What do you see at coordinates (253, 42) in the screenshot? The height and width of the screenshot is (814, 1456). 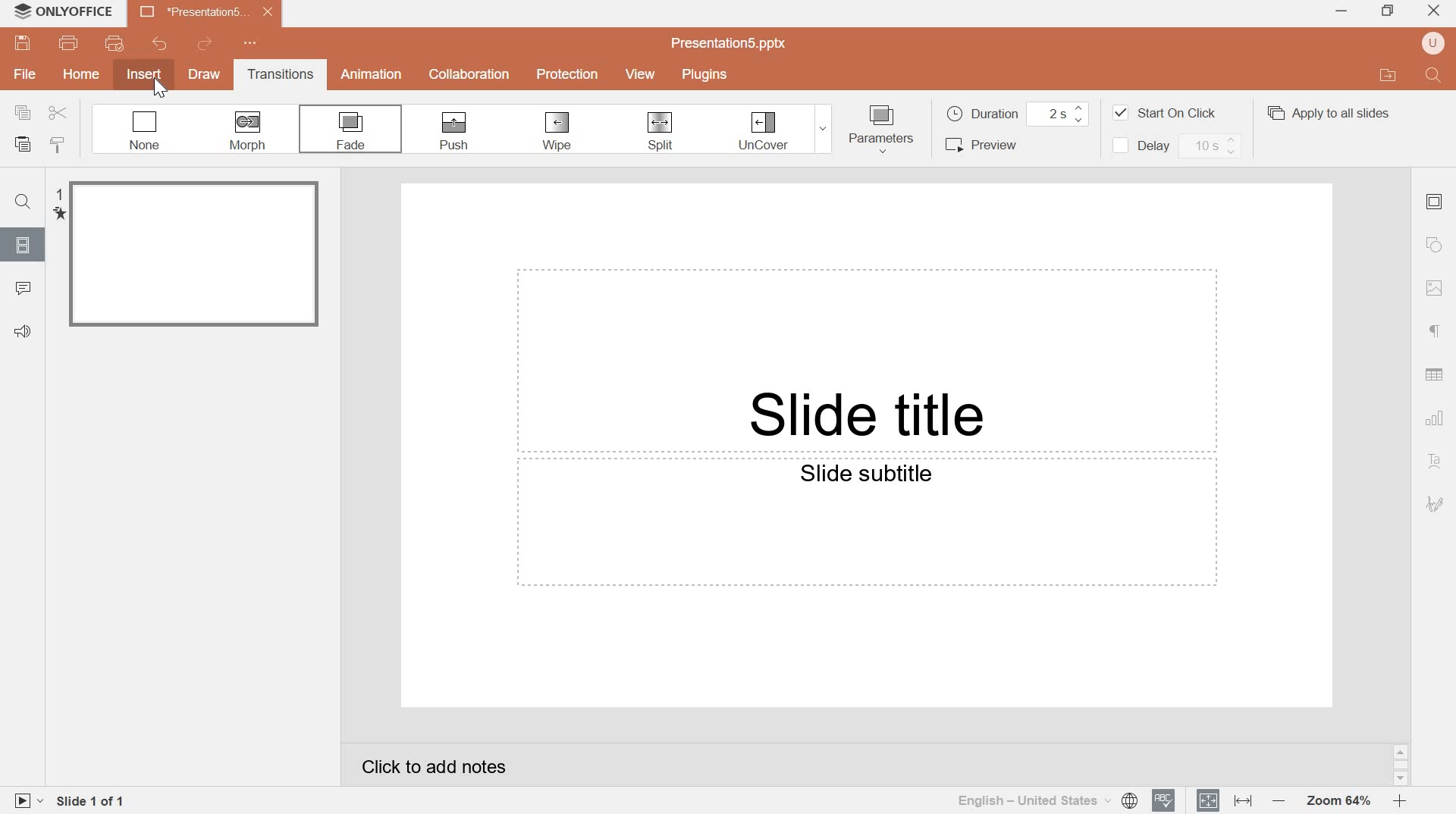 I see `customize quick access toolbar` at bounding box center [253, 42].